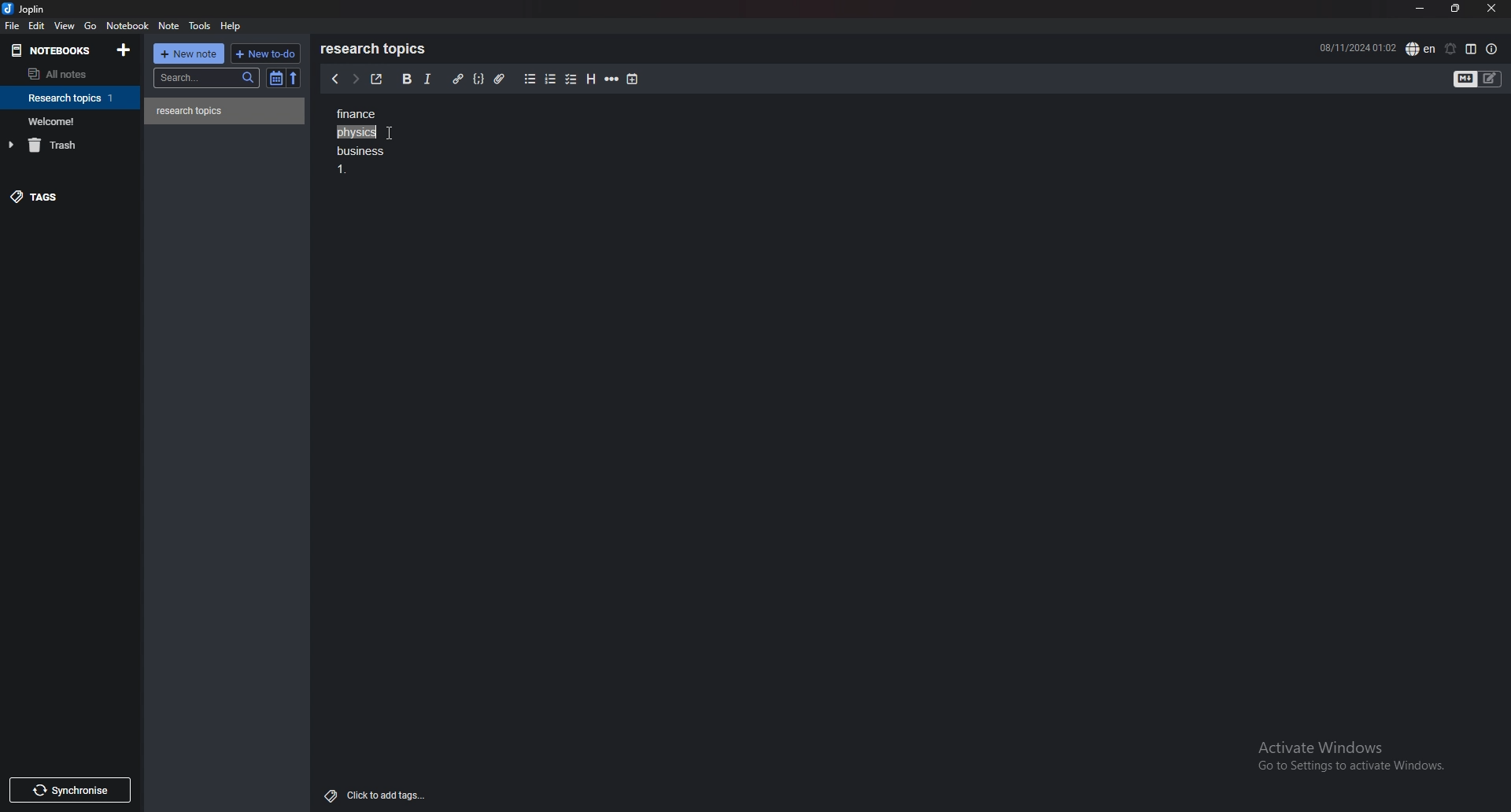  What do you see at coordinates (1357, 47) in the screenshot?
I see `08/11/2024 01:02` at bounding box center [1357, 47].